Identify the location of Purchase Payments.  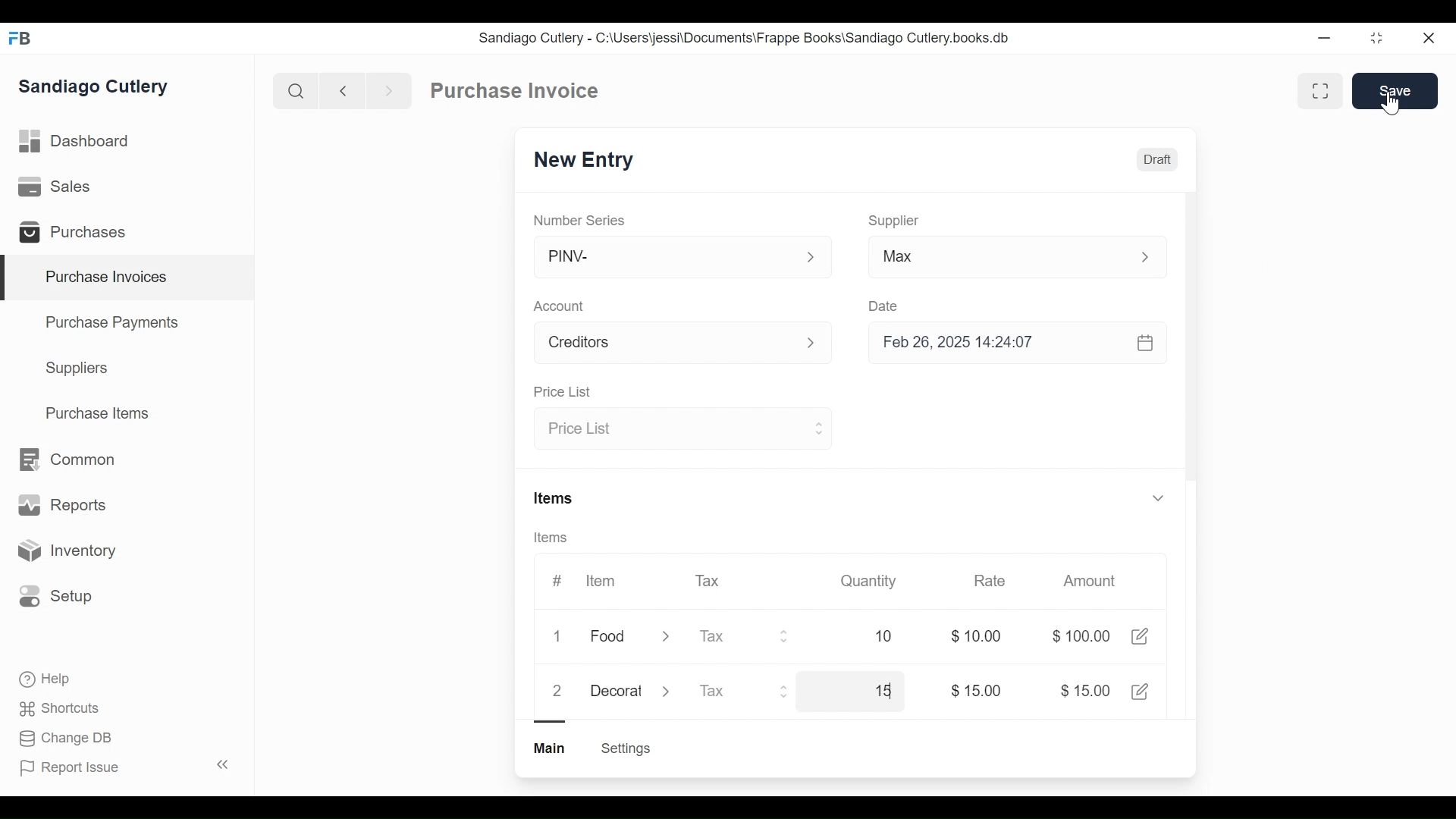
(115, 325).